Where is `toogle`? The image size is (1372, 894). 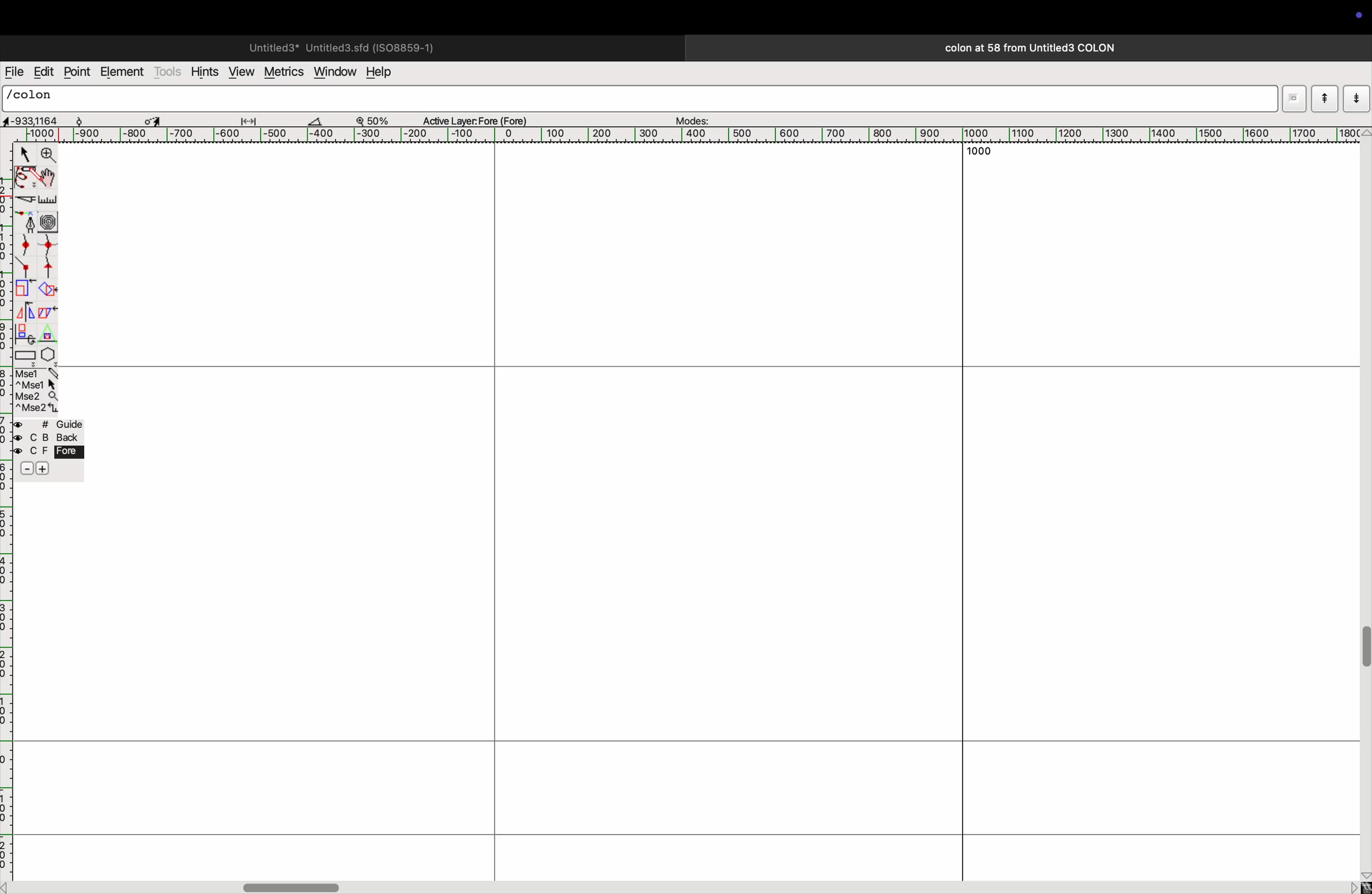
toogle is located at coordinates (47, 179).